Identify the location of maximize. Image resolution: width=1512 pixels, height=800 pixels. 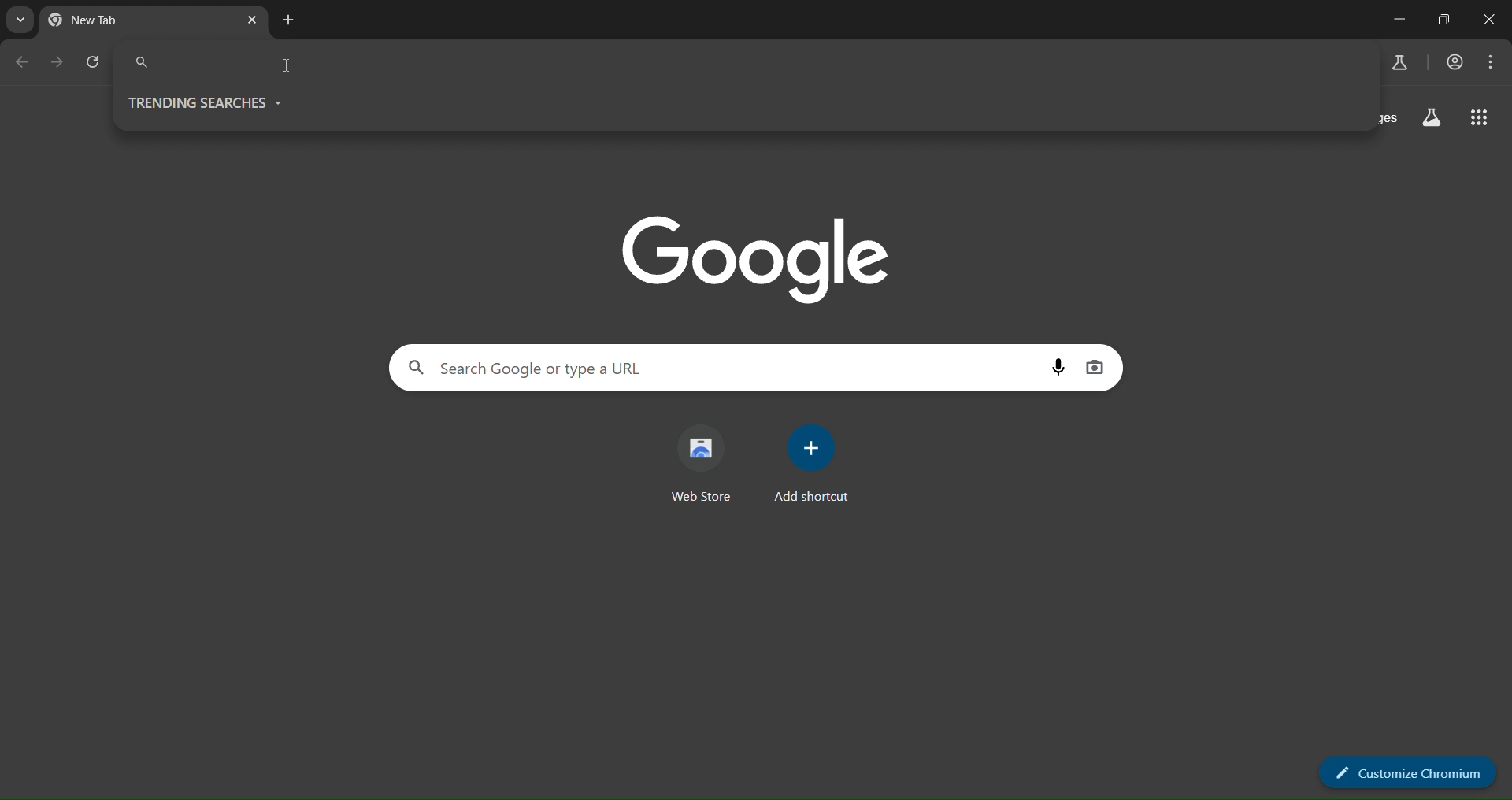
(1444, 20).